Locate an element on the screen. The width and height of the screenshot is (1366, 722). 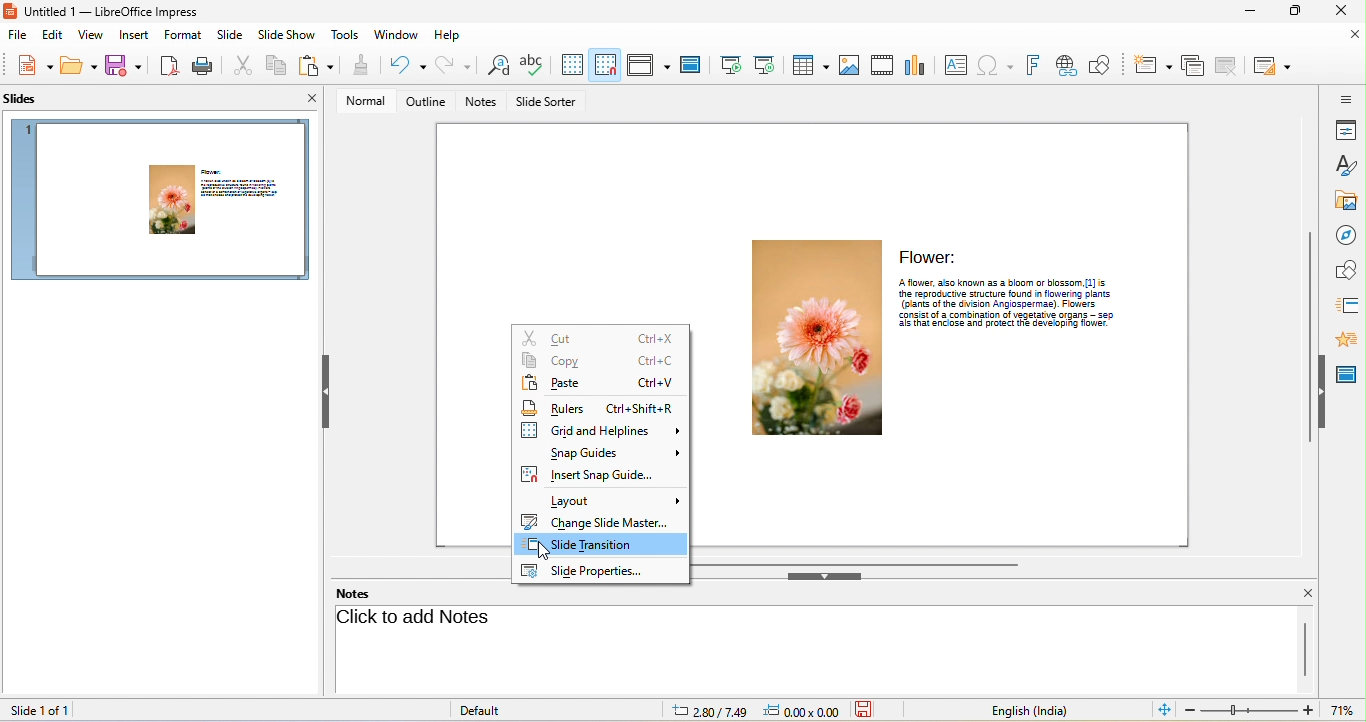
clone formatting is located at coordinates (356, 66).